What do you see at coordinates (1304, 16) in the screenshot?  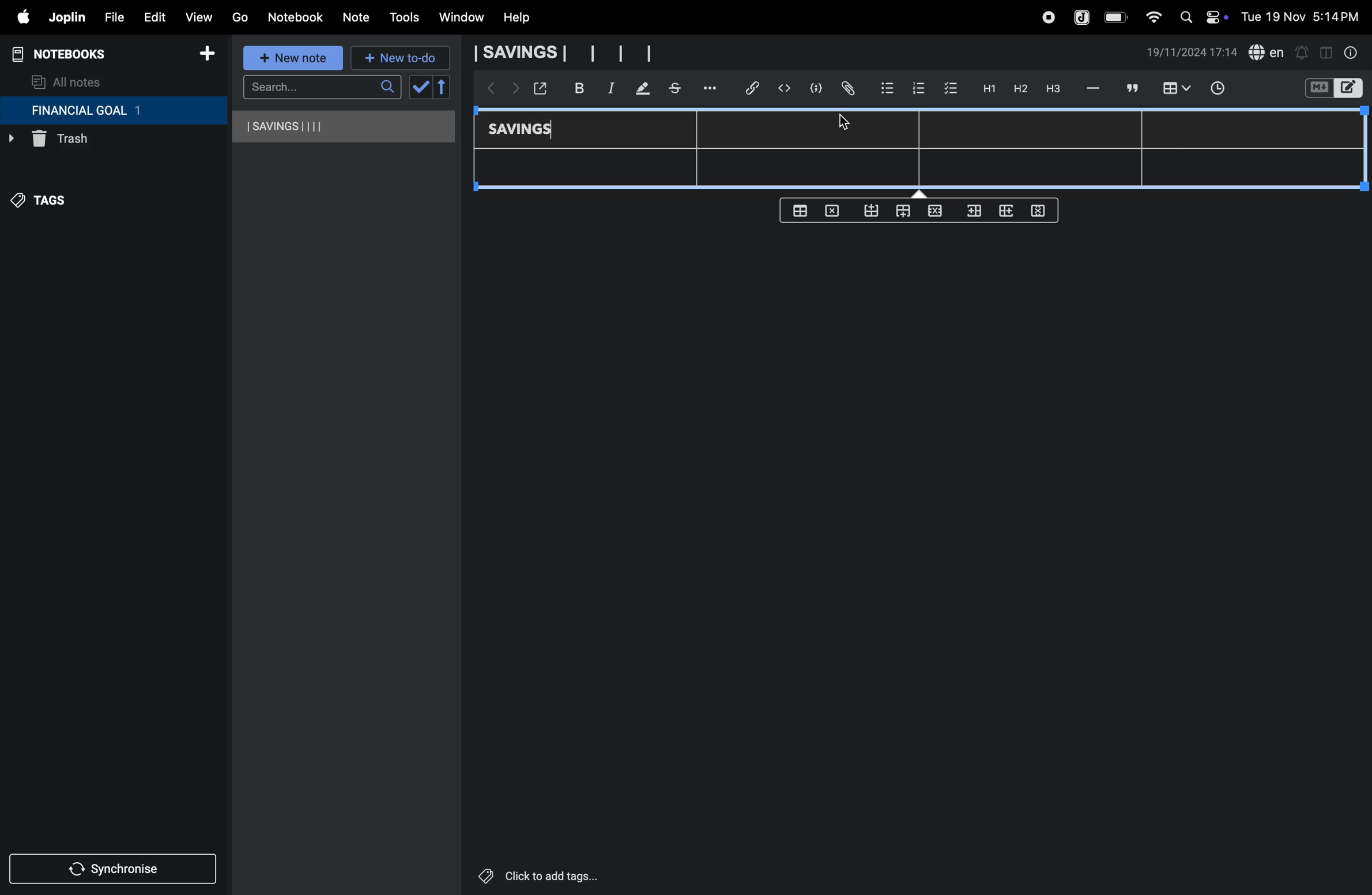 I see `date and time` at bounding box center [1304, 16].